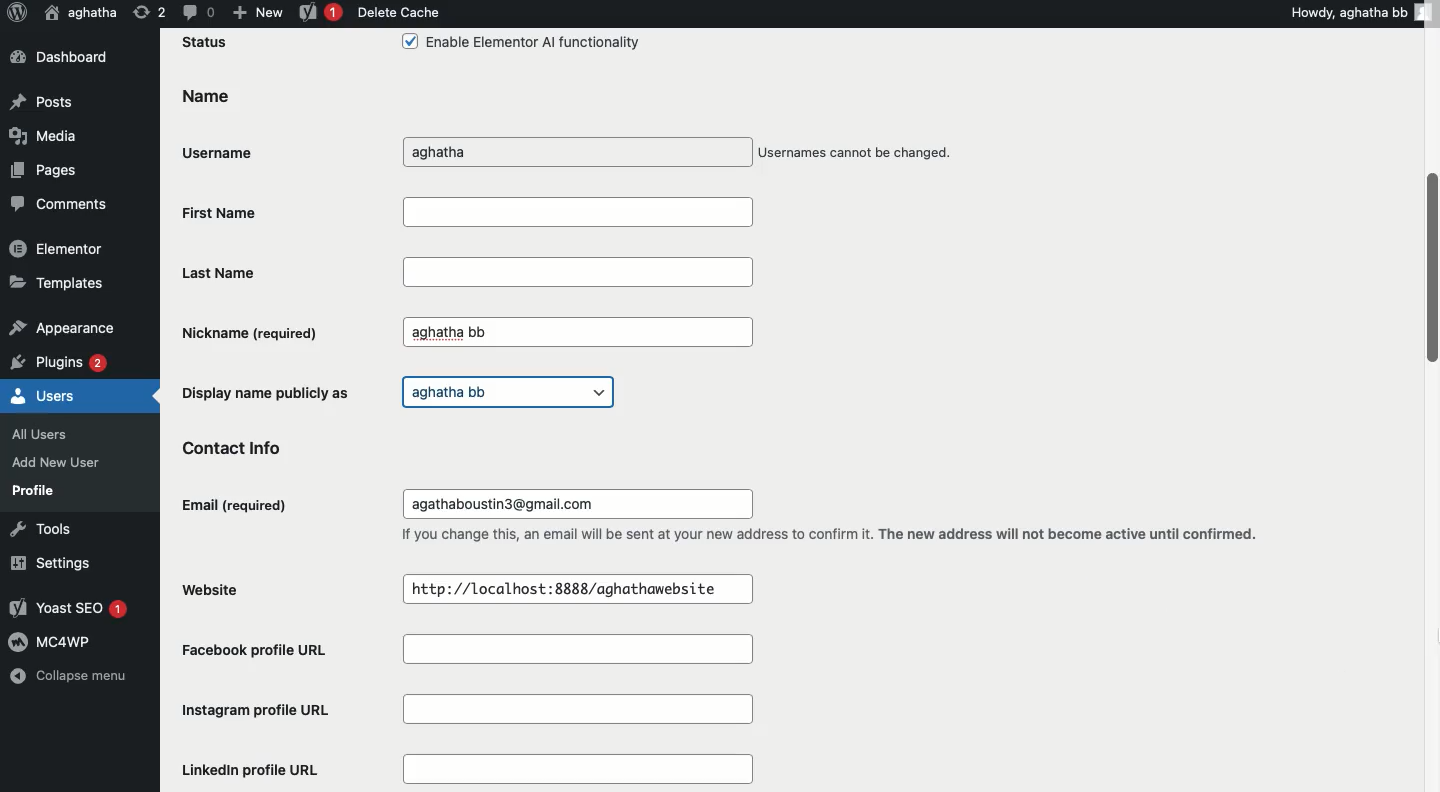 This screenshot has width=1440, height=792. Describe the element at coordinates (82, 12) in the screenshot. I see `User` at that location.